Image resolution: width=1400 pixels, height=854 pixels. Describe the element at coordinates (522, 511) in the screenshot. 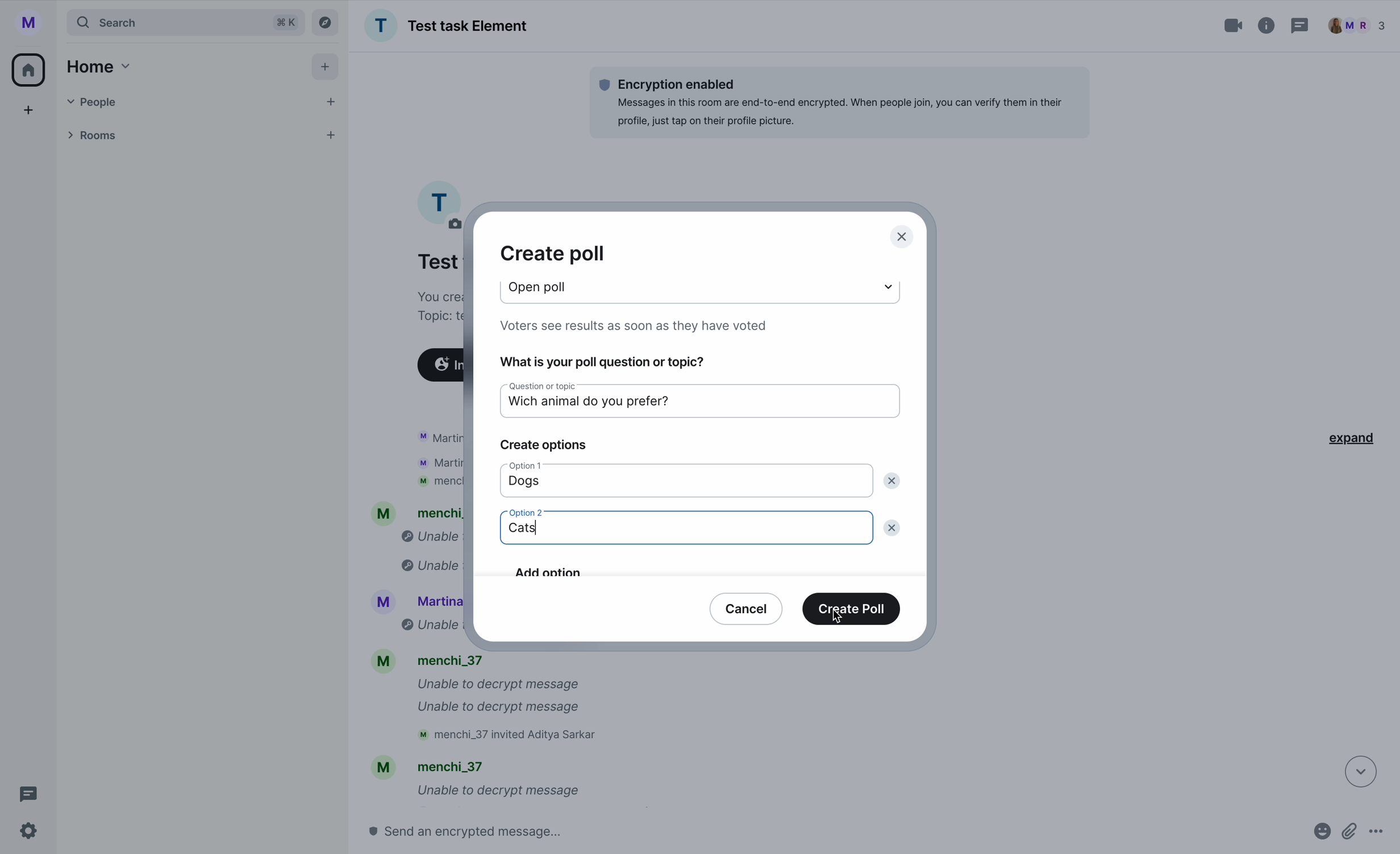

I see `option 2` at that location.